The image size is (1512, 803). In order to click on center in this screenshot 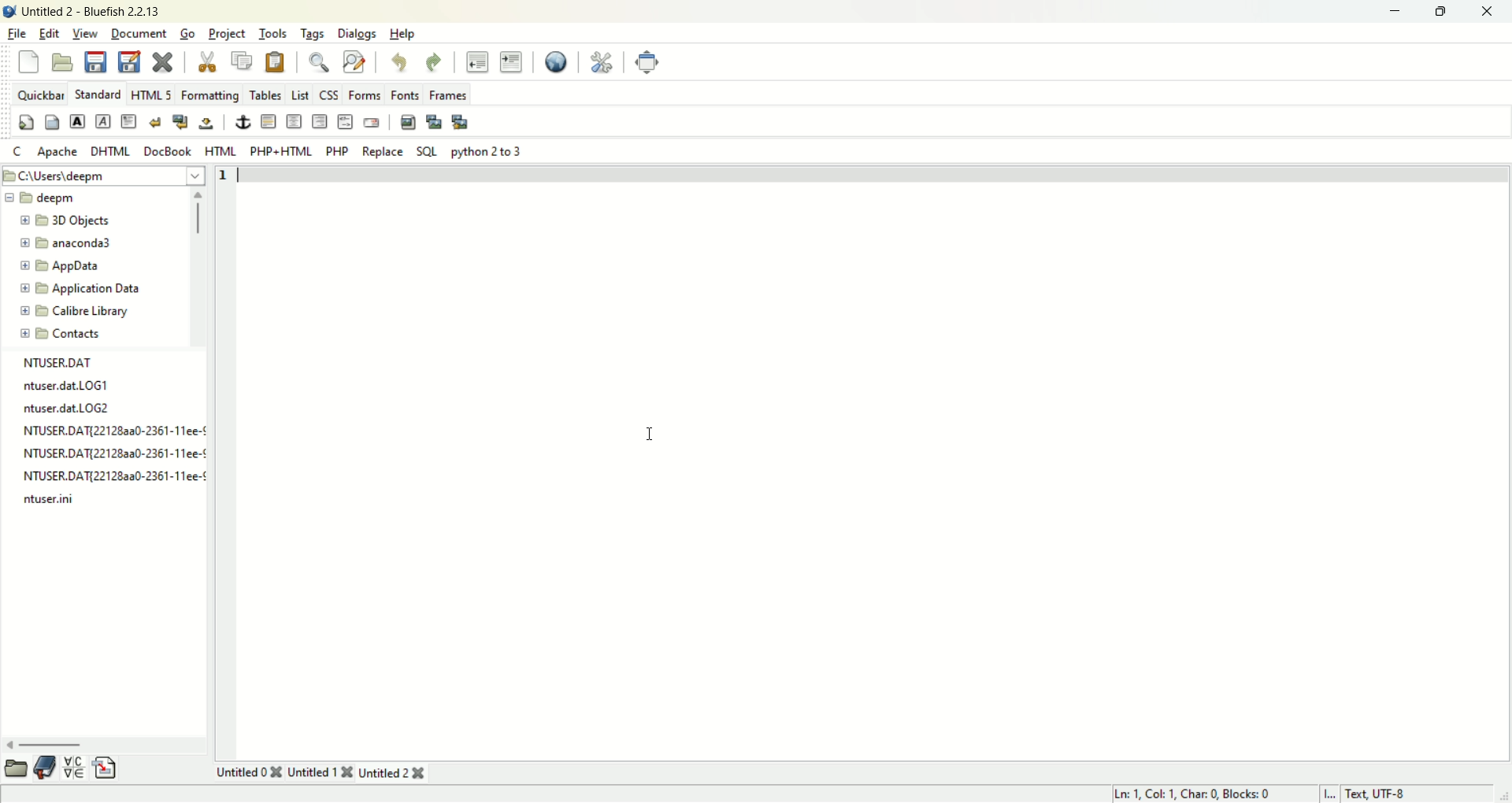, I will do `click(295, 124)`.